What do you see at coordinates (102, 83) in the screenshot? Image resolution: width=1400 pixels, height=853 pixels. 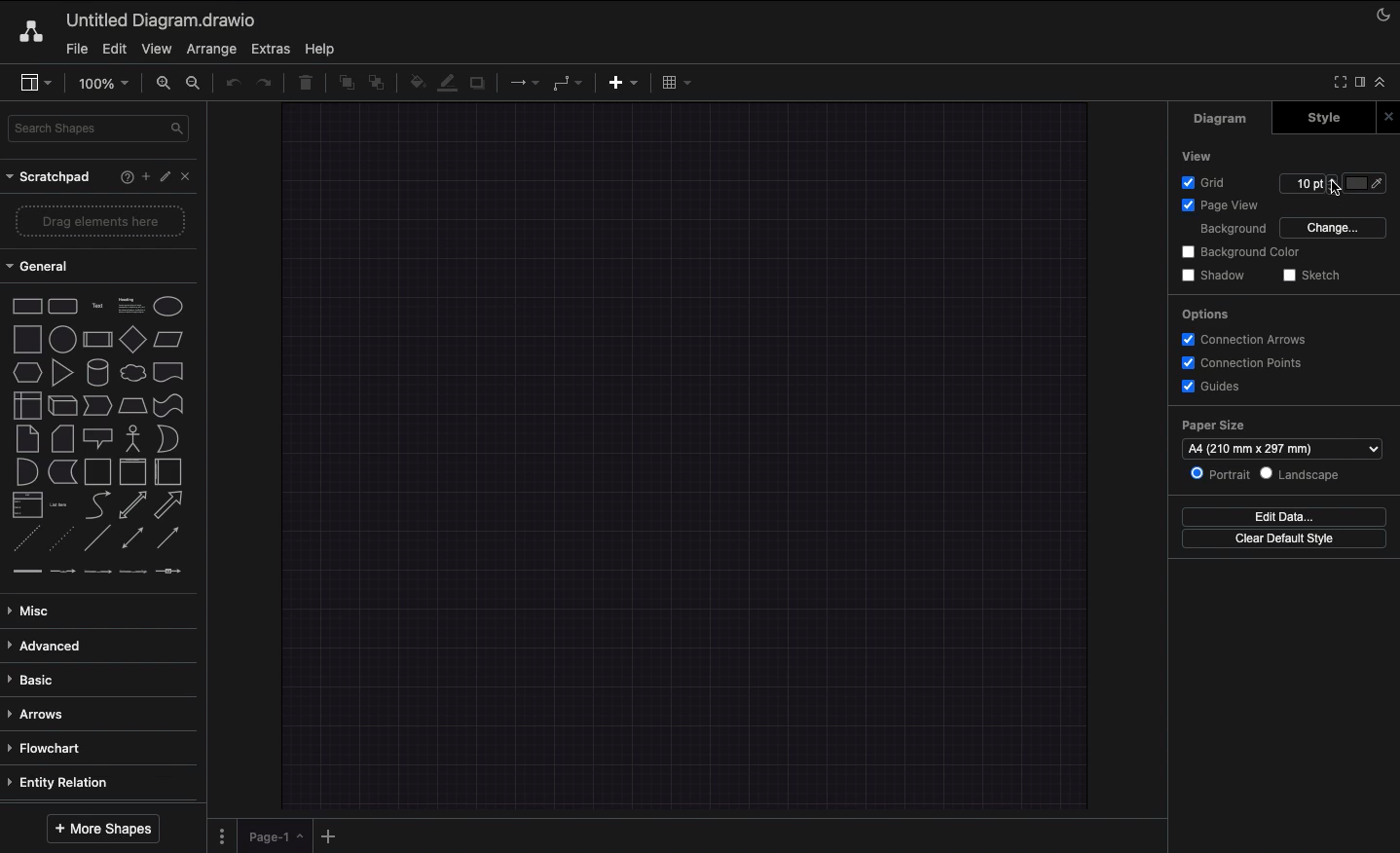 I see `Zoom` at bounding box center [102, 83].